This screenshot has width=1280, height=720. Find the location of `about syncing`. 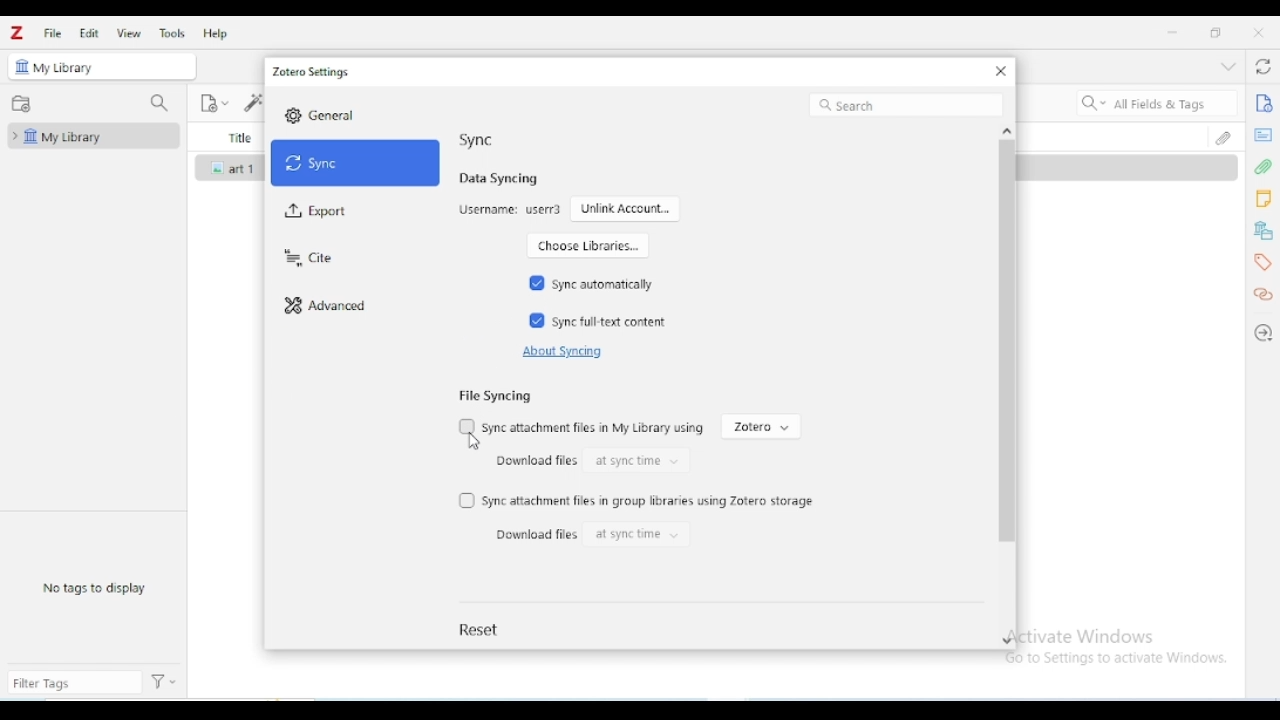

about syncing is located at coordinates (560, 352).